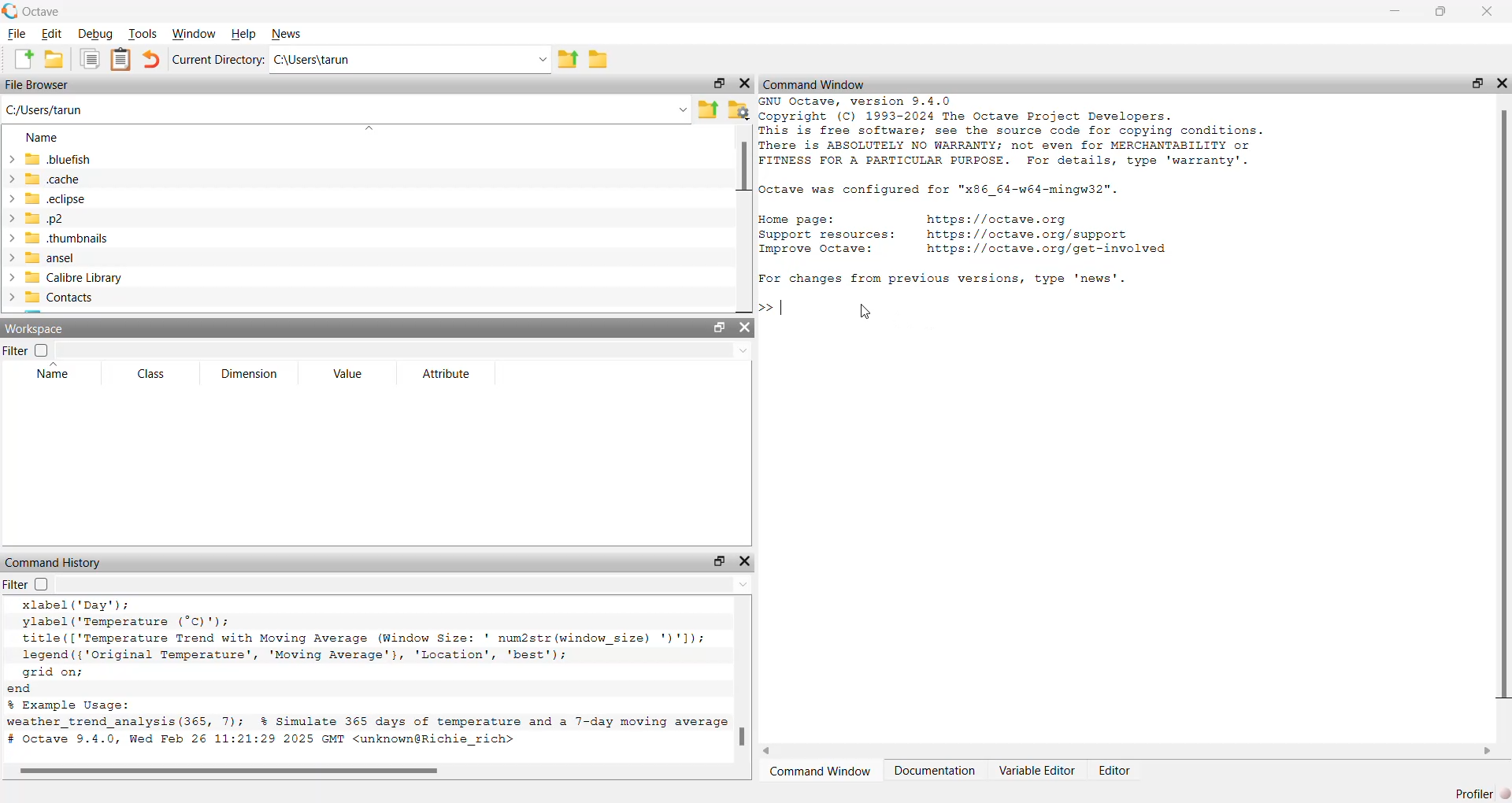  What do you see at coordinates (819, 770) in the screenshot?
I see `Command Window` at bounding box center [819, 770].